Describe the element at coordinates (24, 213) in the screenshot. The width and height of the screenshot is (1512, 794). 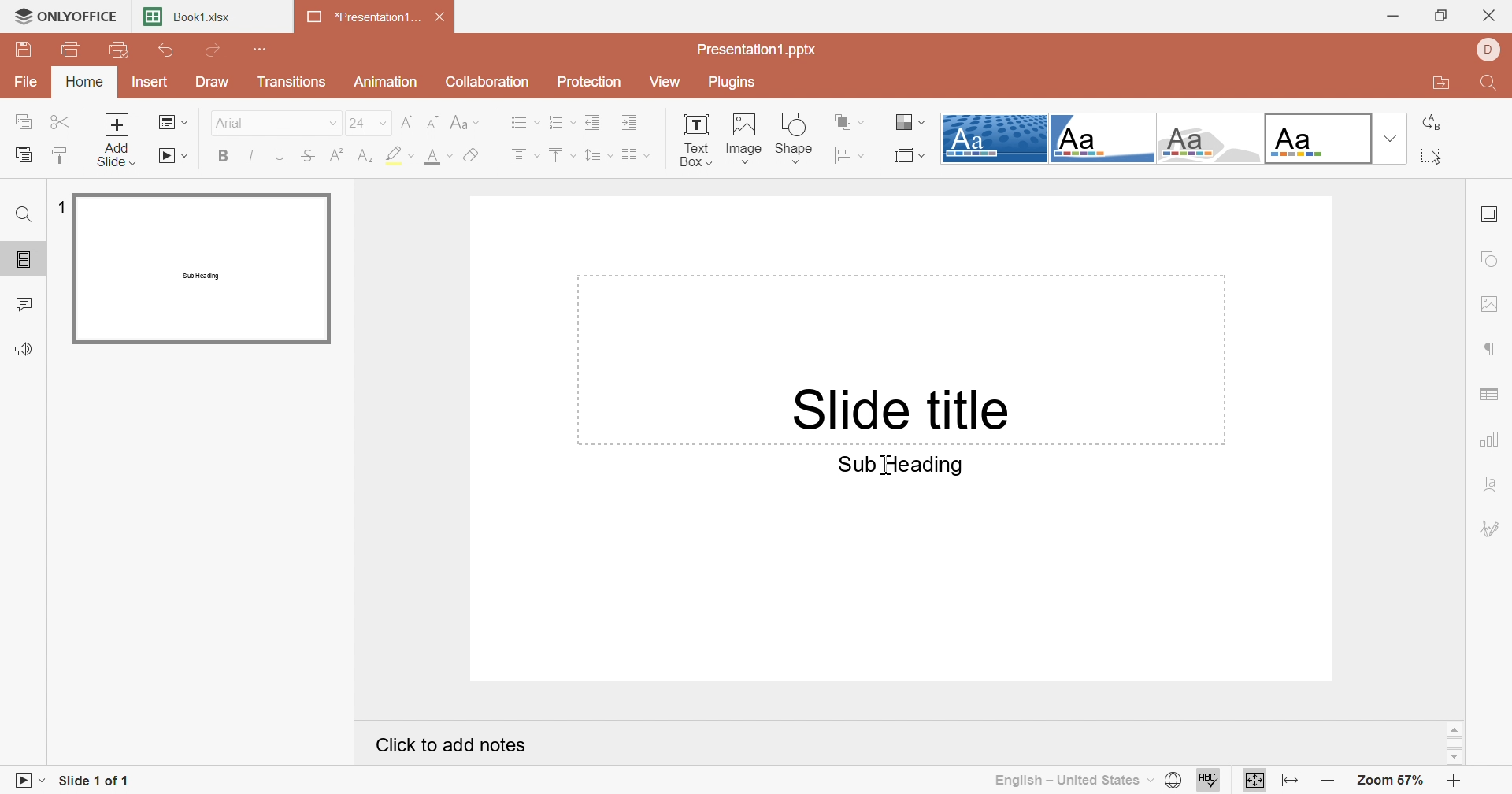
I see `Find` at that location.